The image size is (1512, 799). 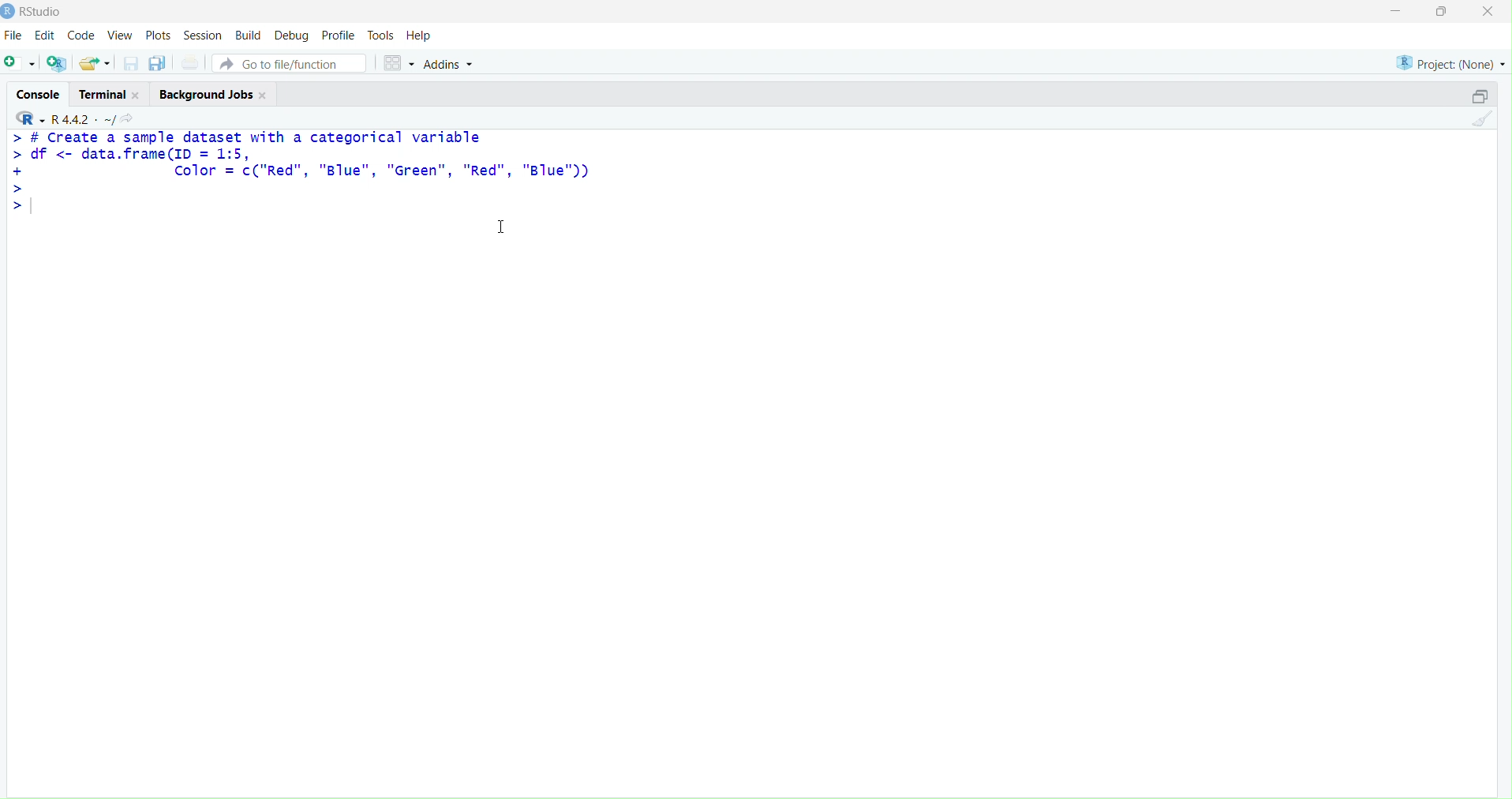 What do you see at coordinates (40, 96) in the screenshot?
I see `console` at bounding box center [40, 96].